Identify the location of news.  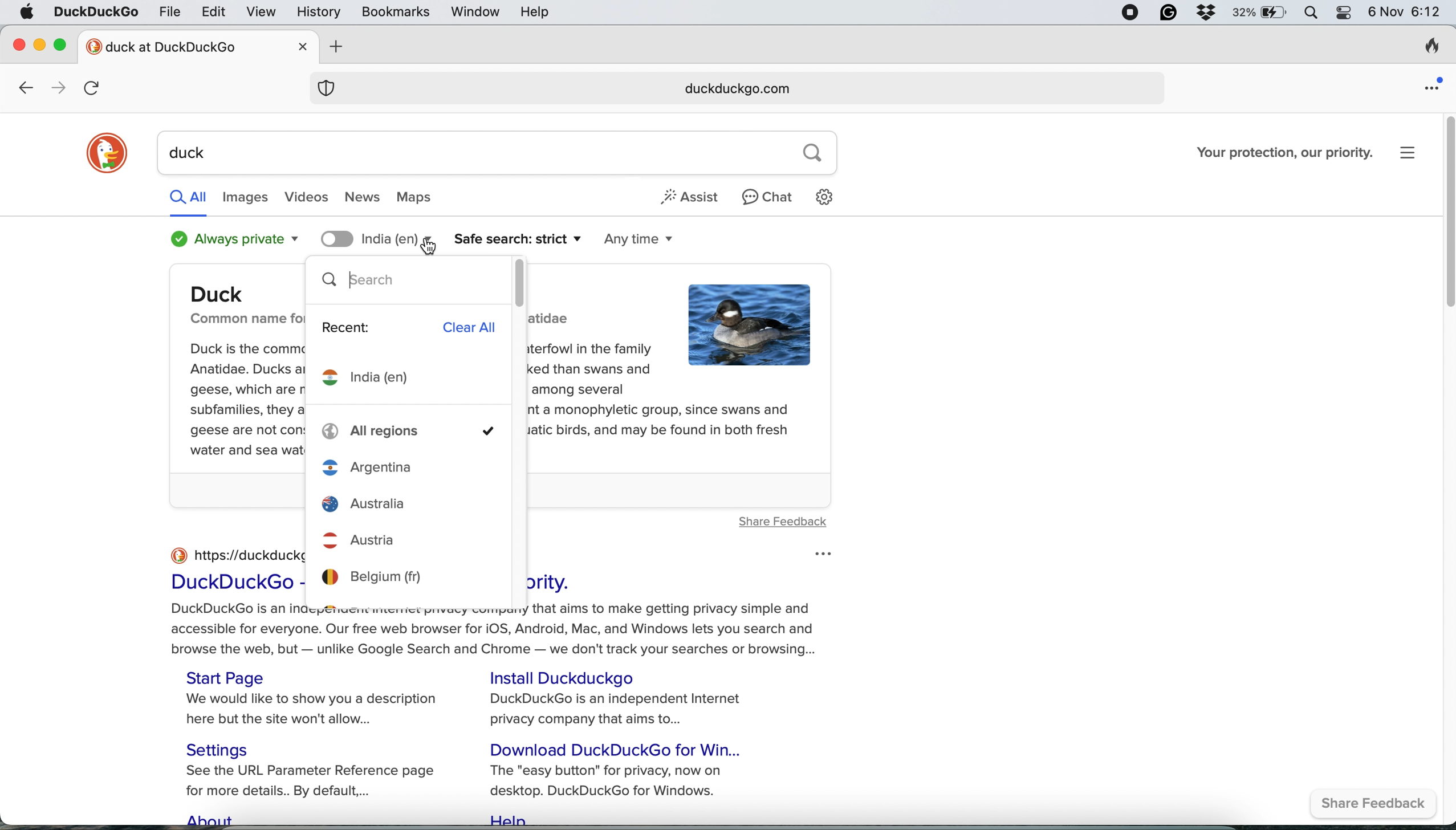
(363, 198).